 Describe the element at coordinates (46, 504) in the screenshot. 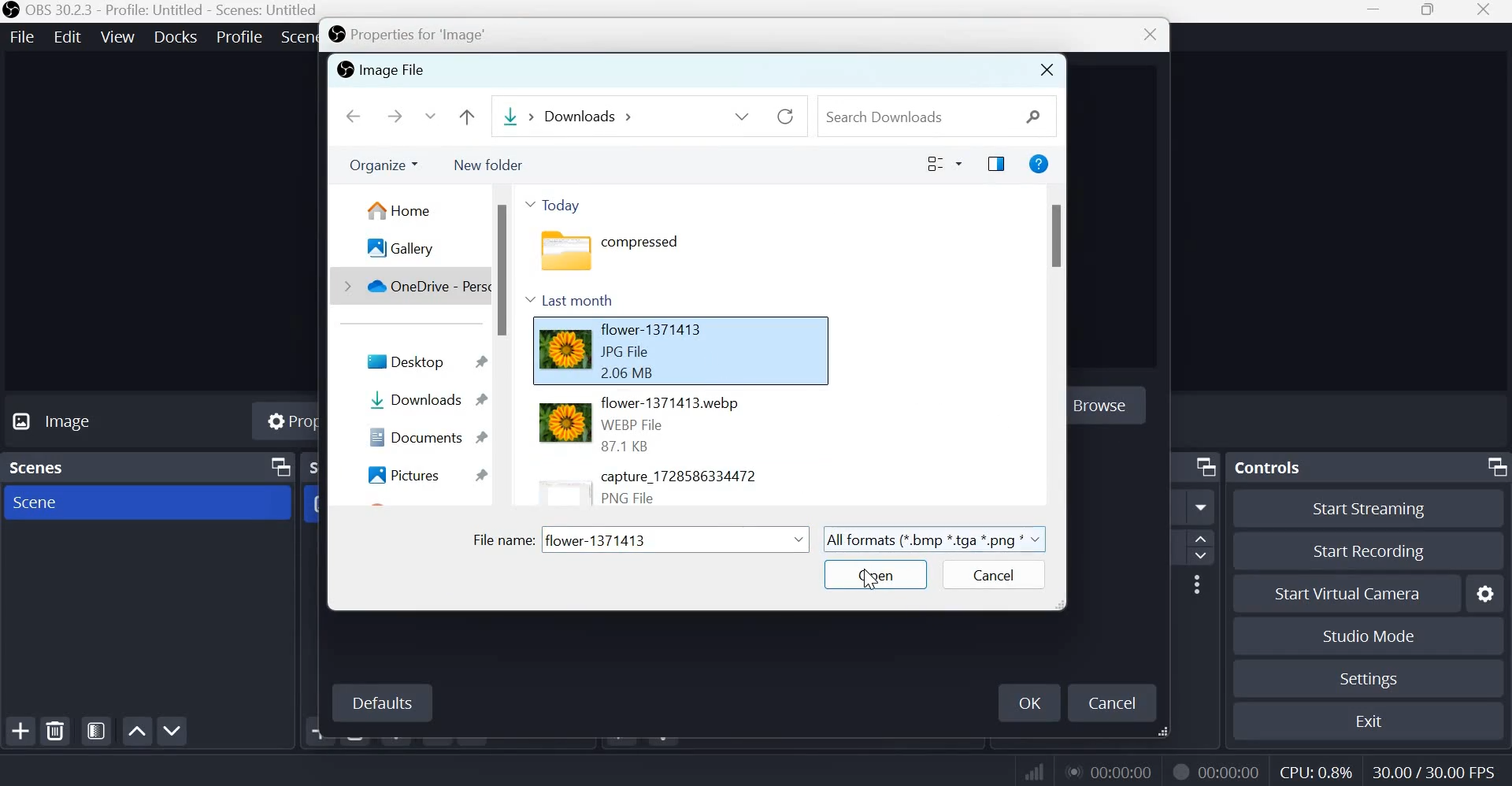

I see `Scene` at that location.